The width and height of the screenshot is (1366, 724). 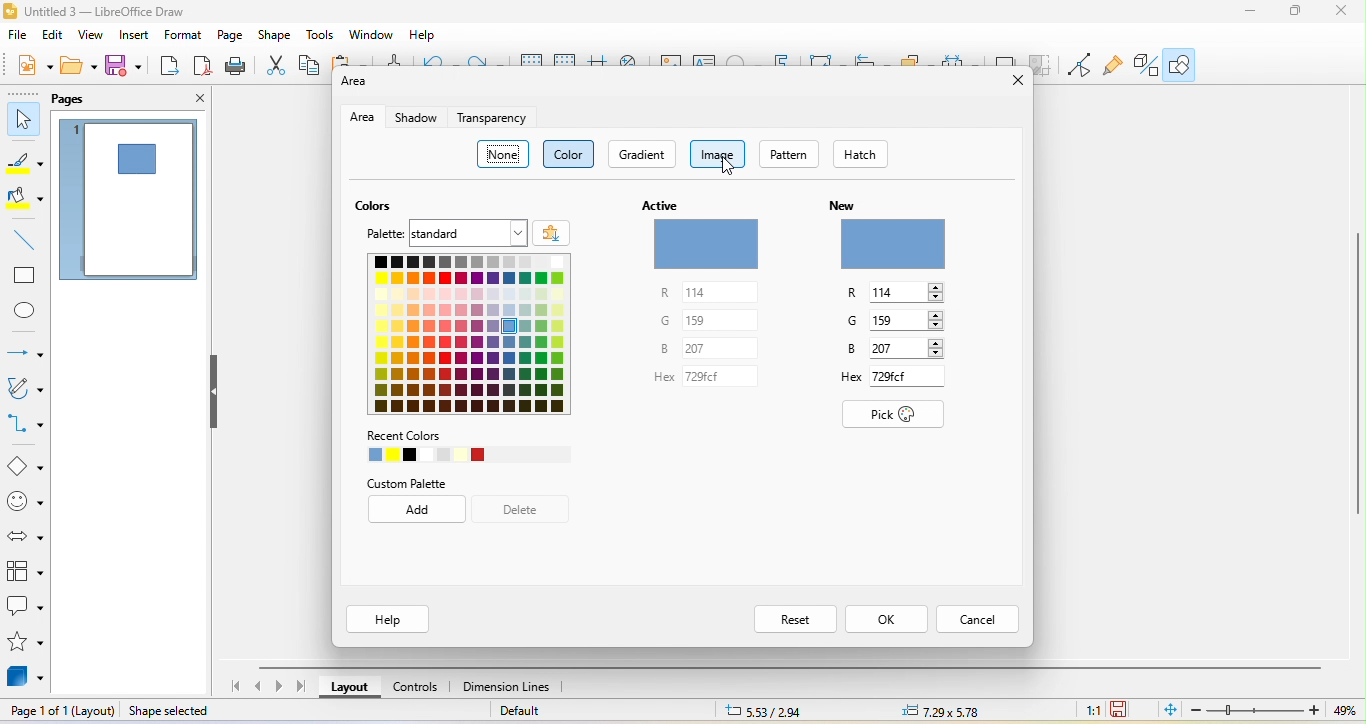 I want to click on print, so click(x=240, y=68).